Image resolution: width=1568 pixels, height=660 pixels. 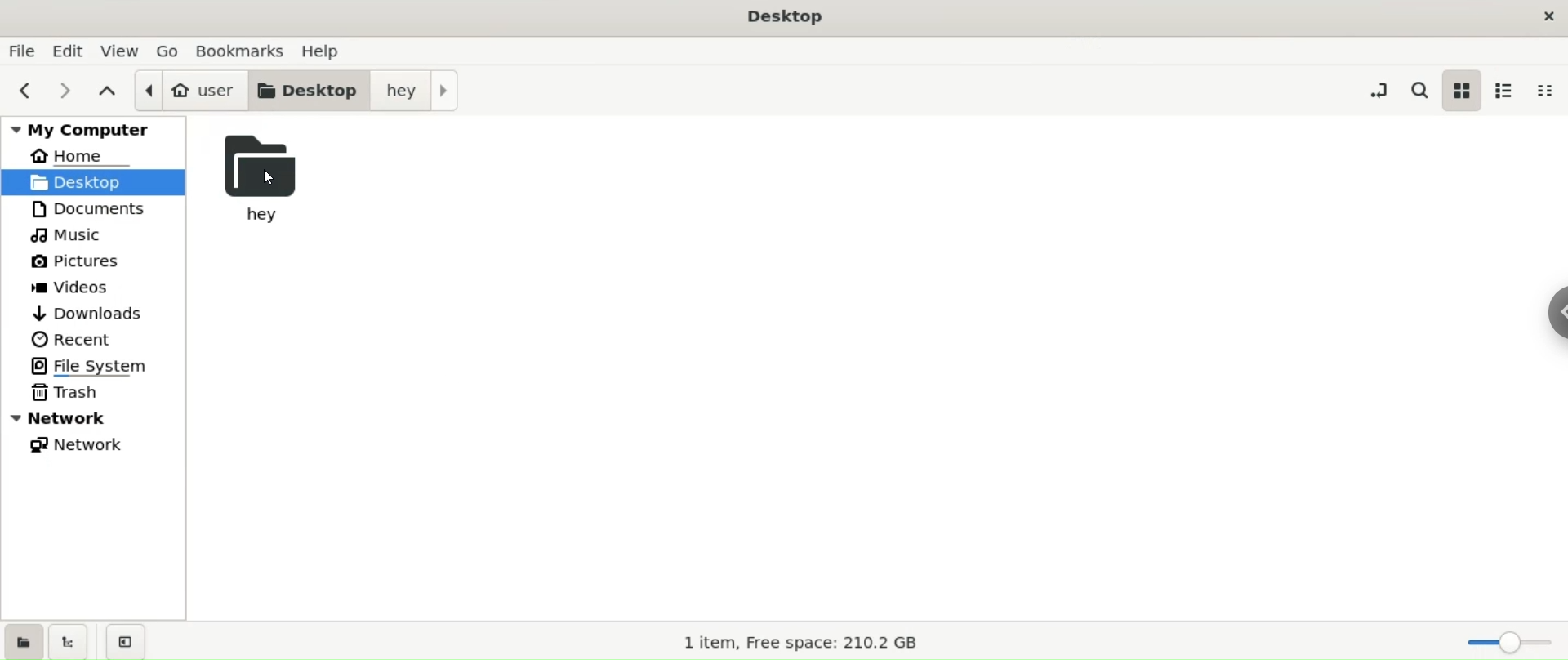 I want to click on 1 item, Free space: 210.2 GB, so click(x=802, y=640).